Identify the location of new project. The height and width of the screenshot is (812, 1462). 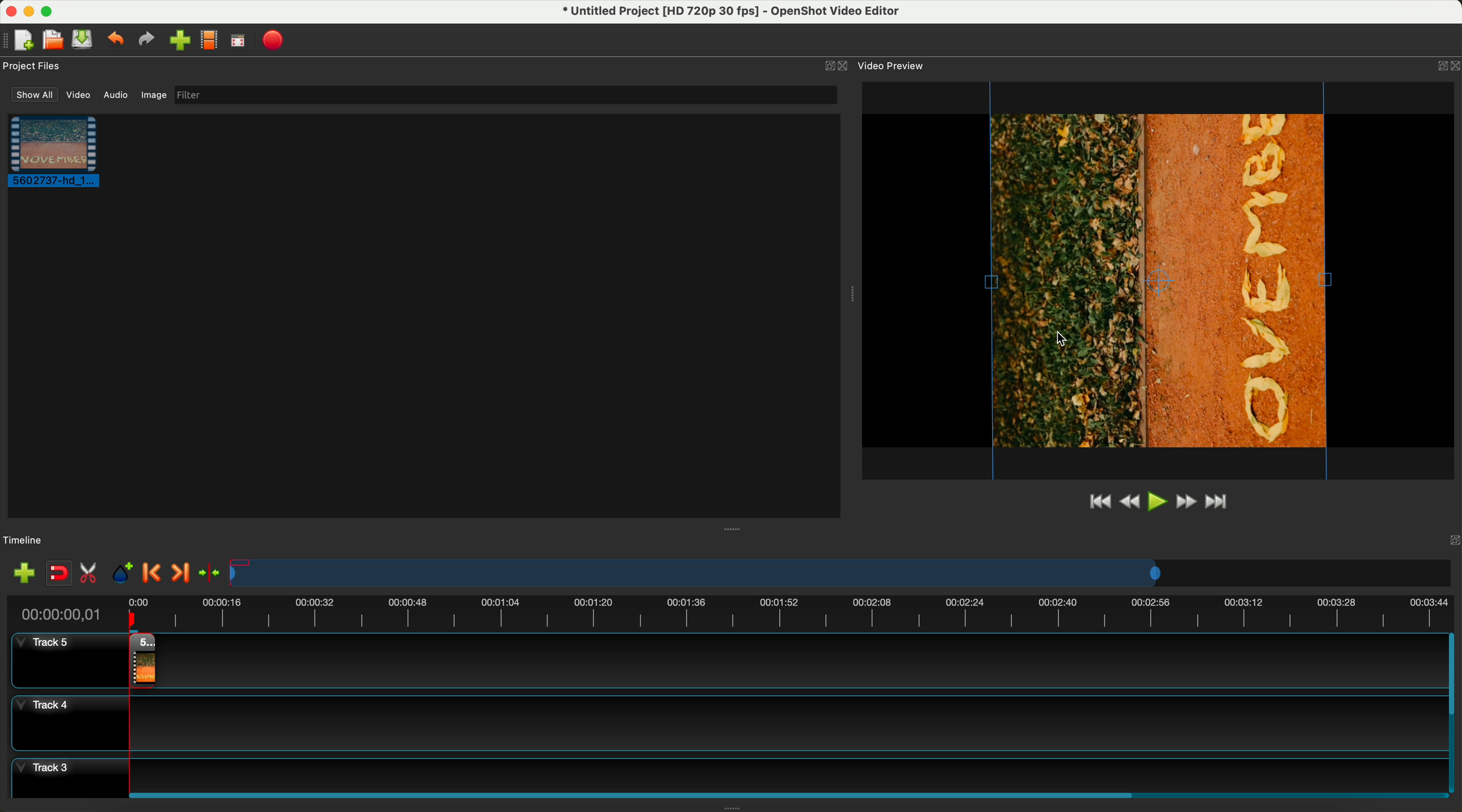
(26, 39).